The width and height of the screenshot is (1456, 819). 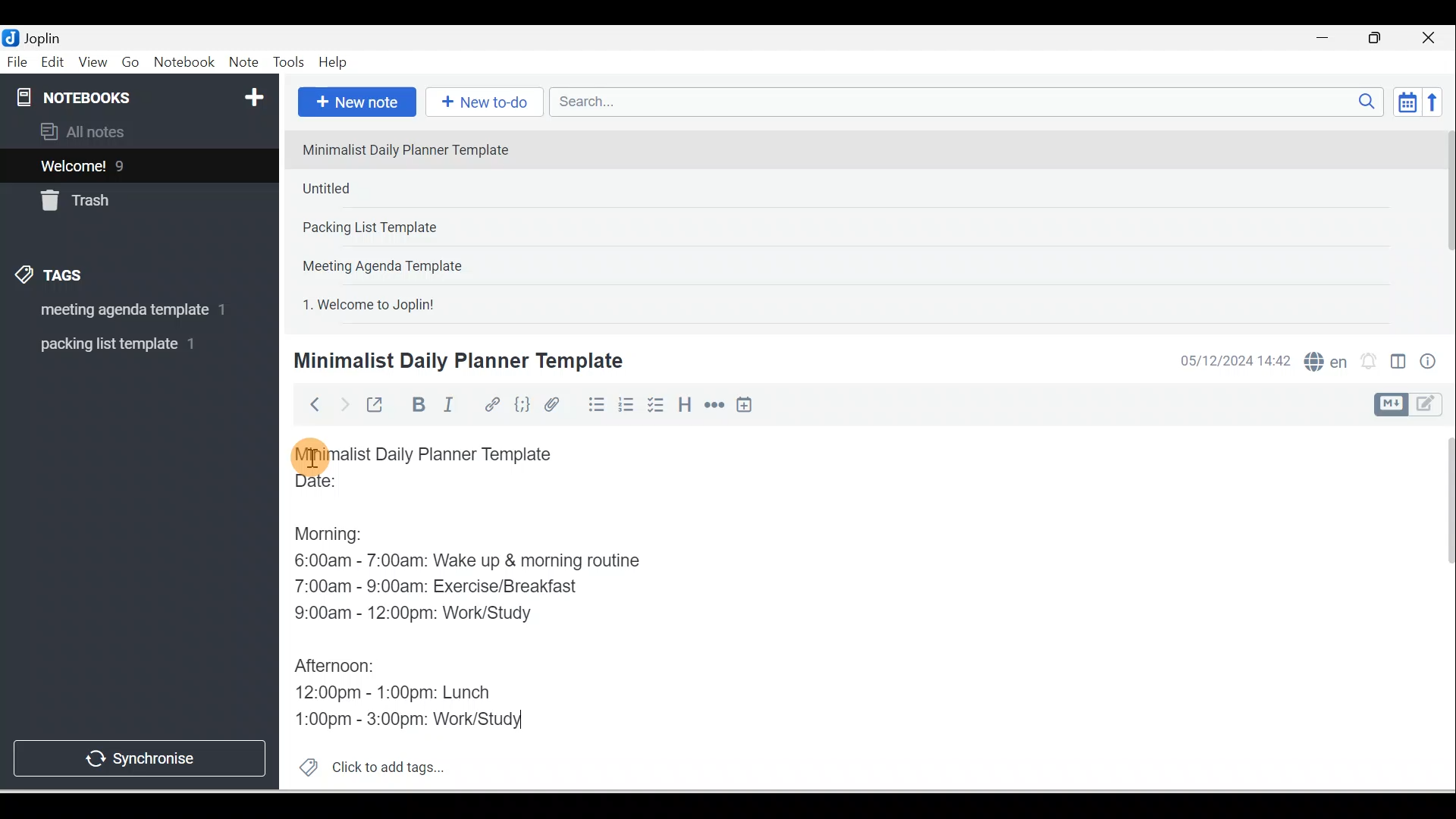 What do you see at coordinates (1323, 359) in the screenshot?
I see `Spelling` at bounding box center [1323, 359].